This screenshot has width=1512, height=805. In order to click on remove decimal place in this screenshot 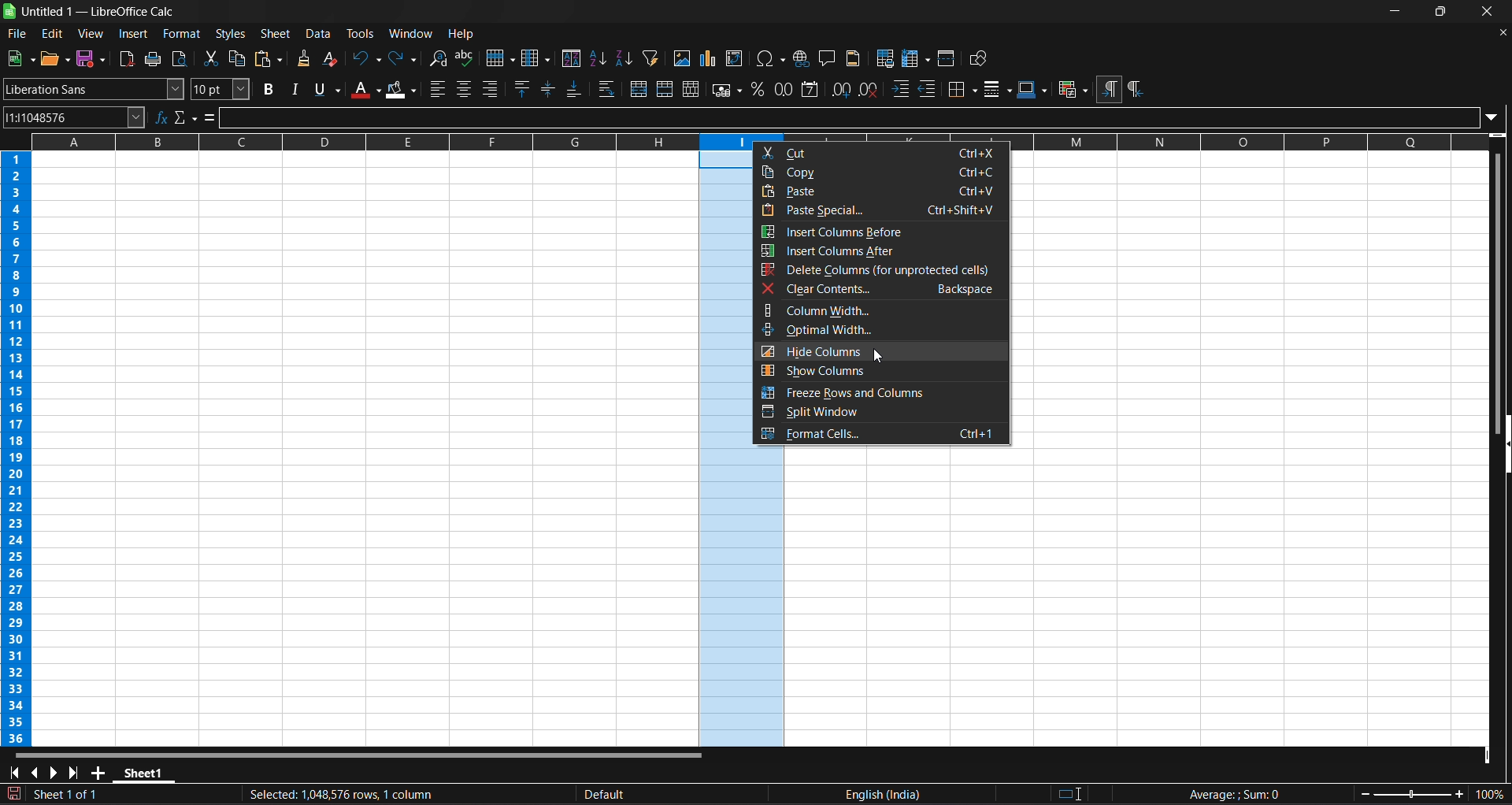, I will do `click(868, 91)`.